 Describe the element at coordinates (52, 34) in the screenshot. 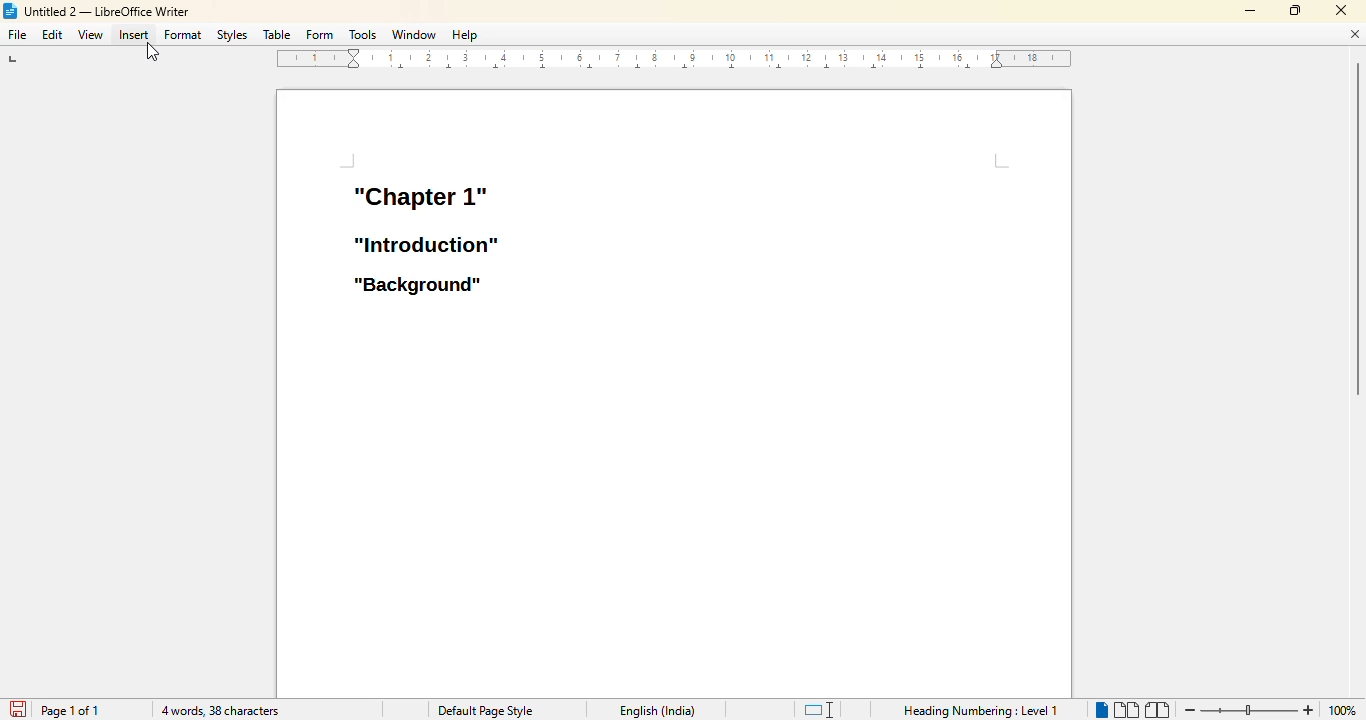

I see `edit` at that location.